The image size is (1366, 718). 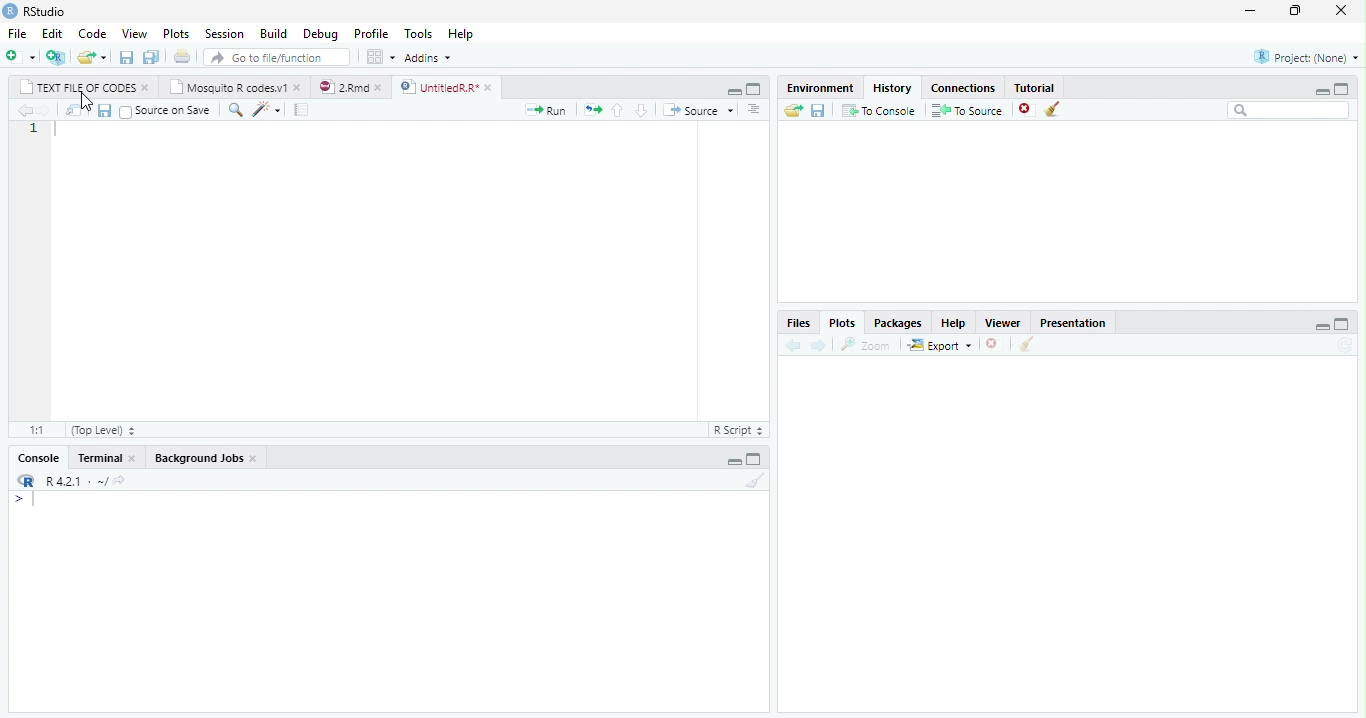 What do you see at coordinates (89, 32) in the screenshot?
I see `code` at bounding box center [89, 32].